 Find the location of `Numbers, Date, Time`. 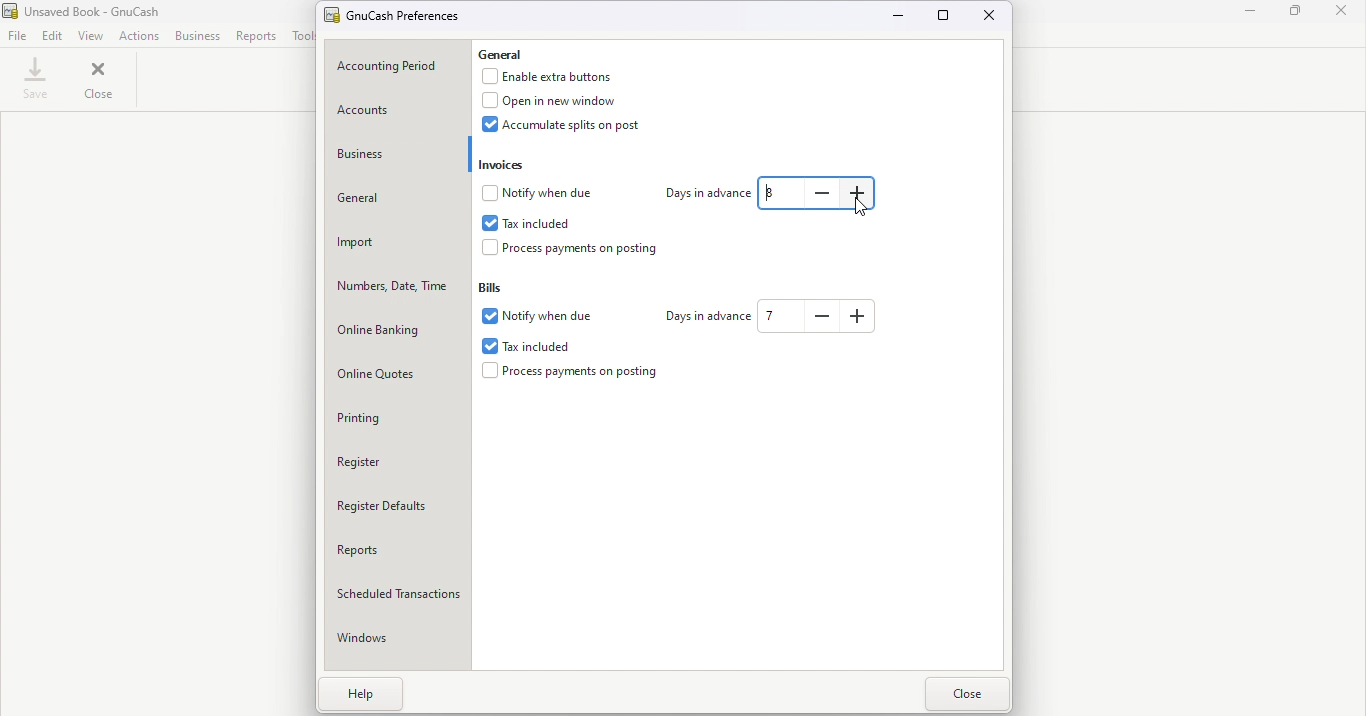

Numbers, Date, Time is located at coordinates (398, 288).